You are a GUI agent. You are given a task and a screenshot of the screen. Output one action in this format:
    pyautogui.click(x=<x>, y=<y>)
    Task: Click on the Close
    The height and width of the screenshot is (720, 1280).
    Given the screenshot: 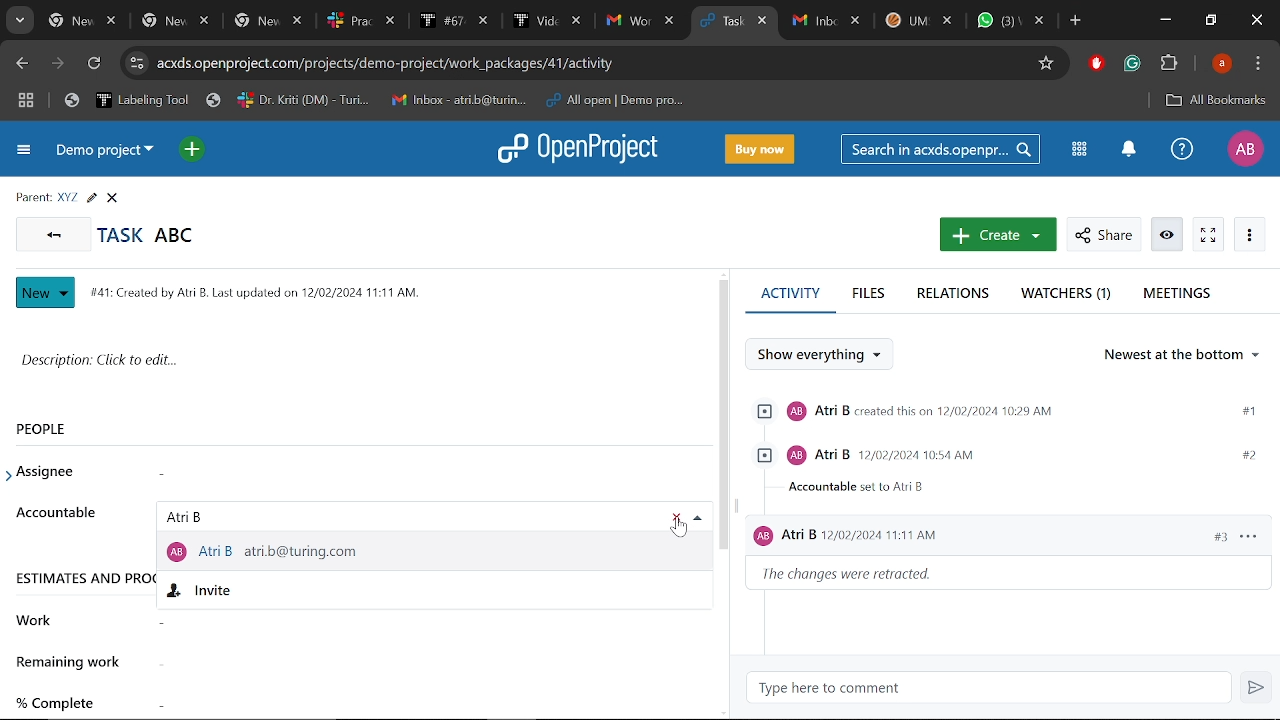 What is the action you would take?
    pyautogui.click(x=1254, y=20)
    